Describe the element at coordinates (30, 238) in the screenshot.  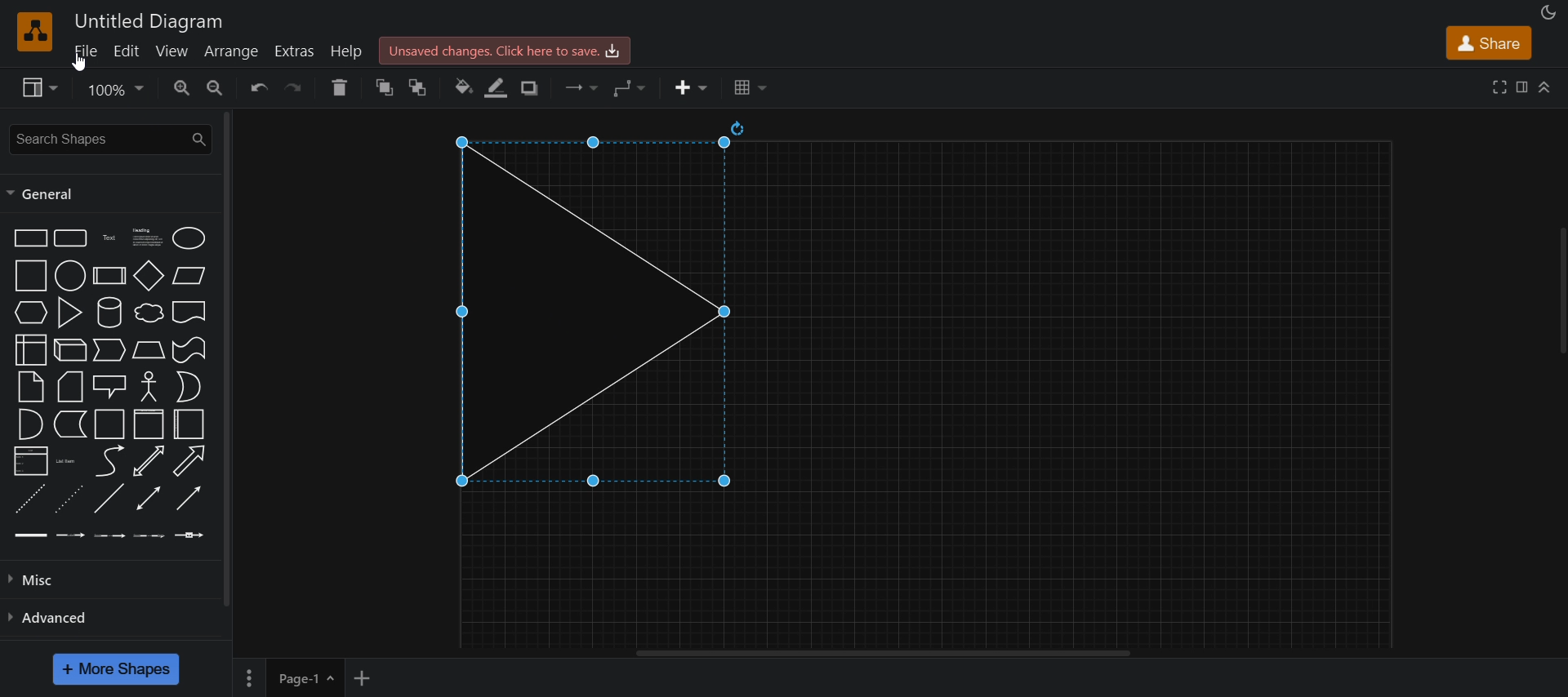
I see `rectangle` at that location.